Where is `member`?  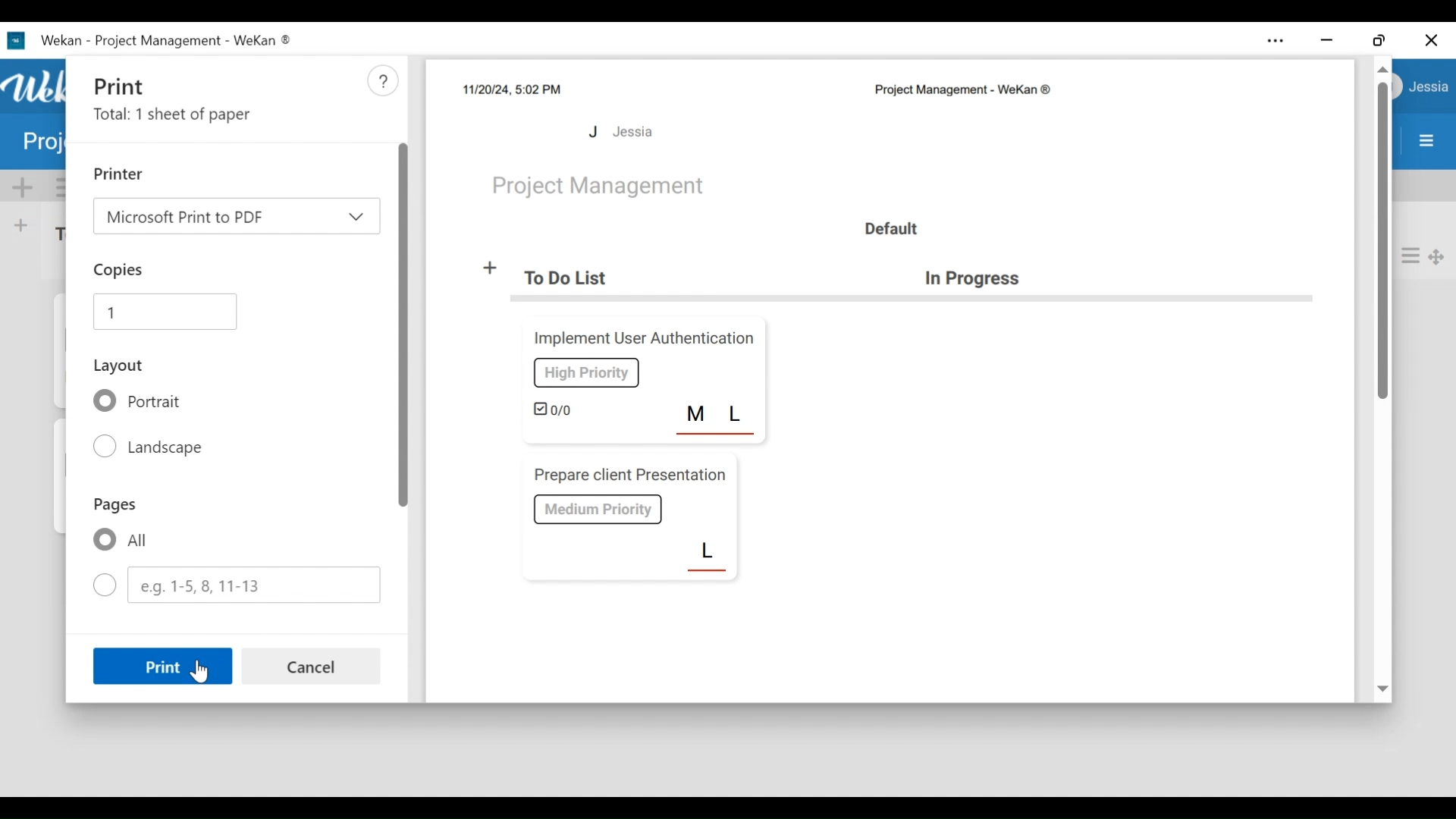
member is located at coordinates (739, 414).